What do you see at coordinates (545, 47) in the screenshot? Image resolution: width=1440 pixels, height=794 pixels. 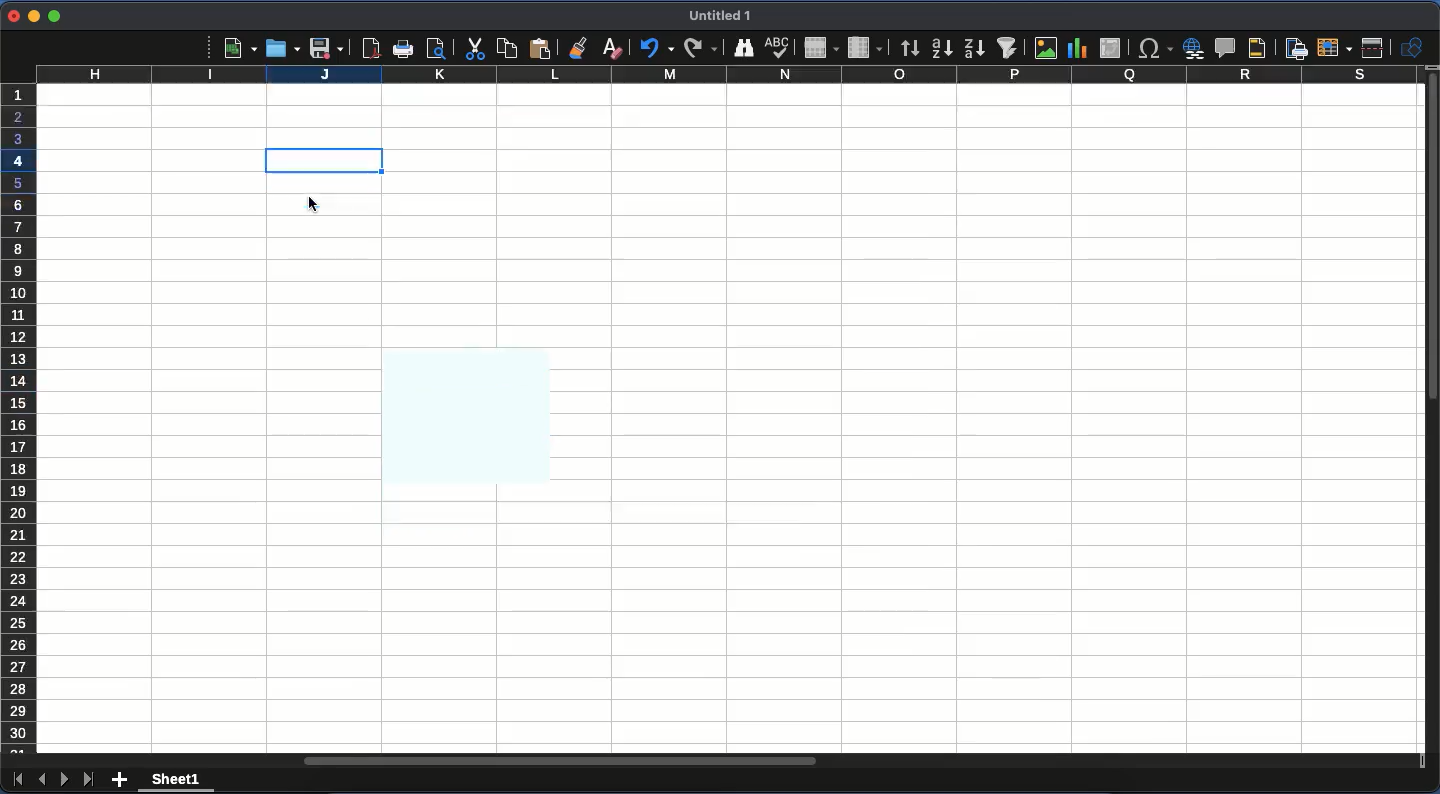 I see `paste` at bounding box center [545, 47].